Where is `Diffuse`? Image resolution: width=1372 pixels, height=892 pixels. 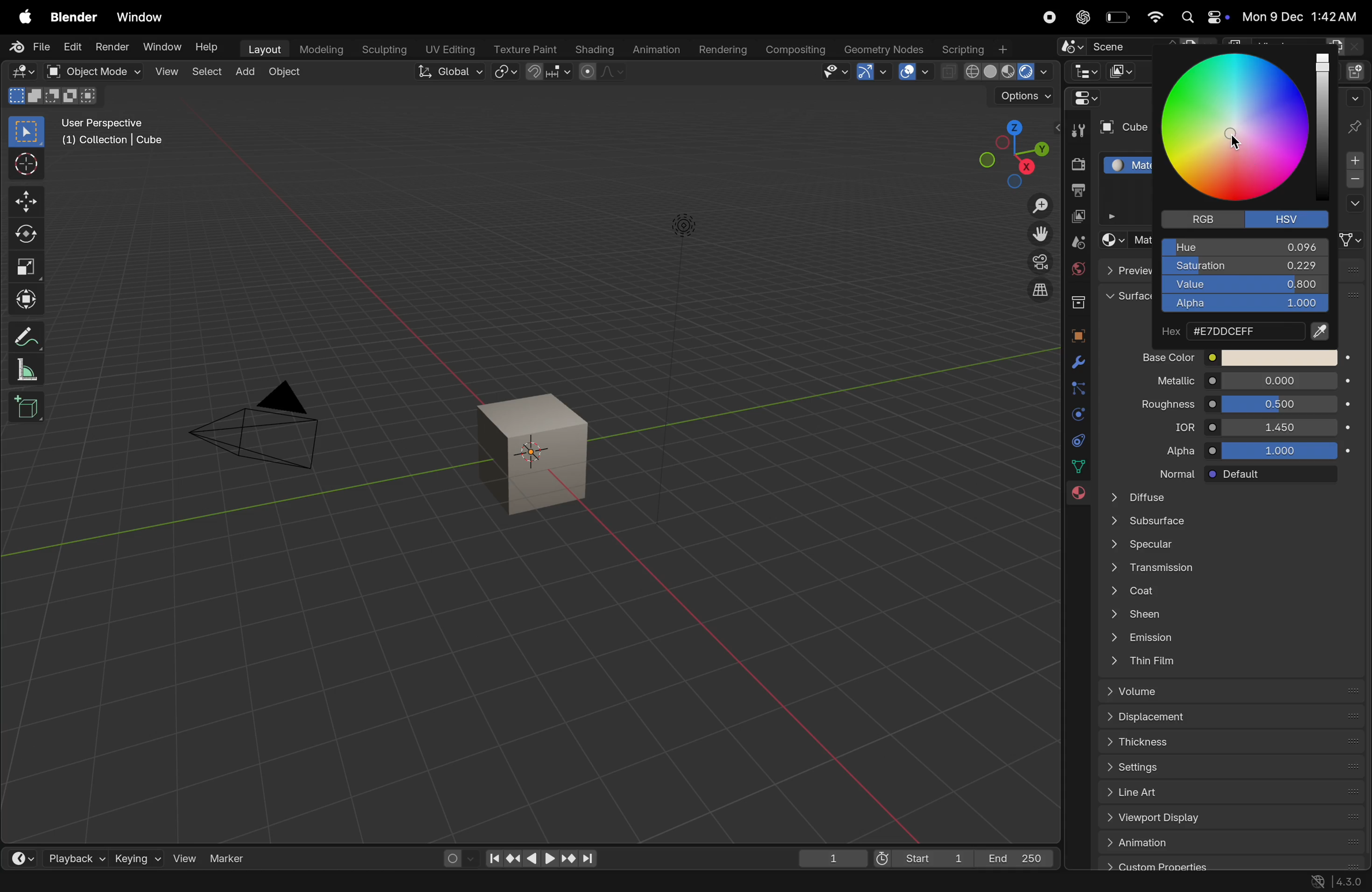 Diffuse is located at coordinates (1226, 497).